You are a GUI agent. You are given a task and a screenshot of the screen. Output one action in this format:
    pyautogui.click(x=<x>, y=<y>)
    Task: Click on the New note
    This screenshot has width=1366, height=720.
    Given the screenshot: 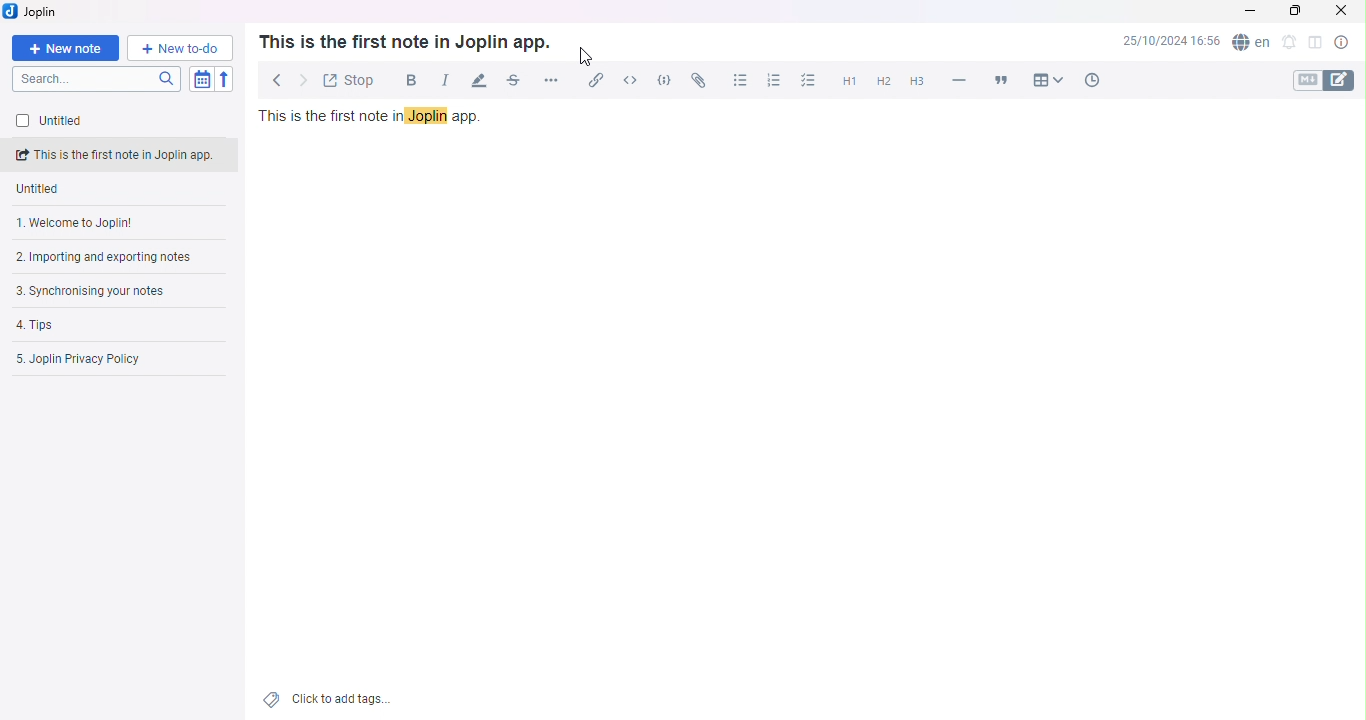 What is the action you would take?
    pyautogui.click(x=67, y=47)
    